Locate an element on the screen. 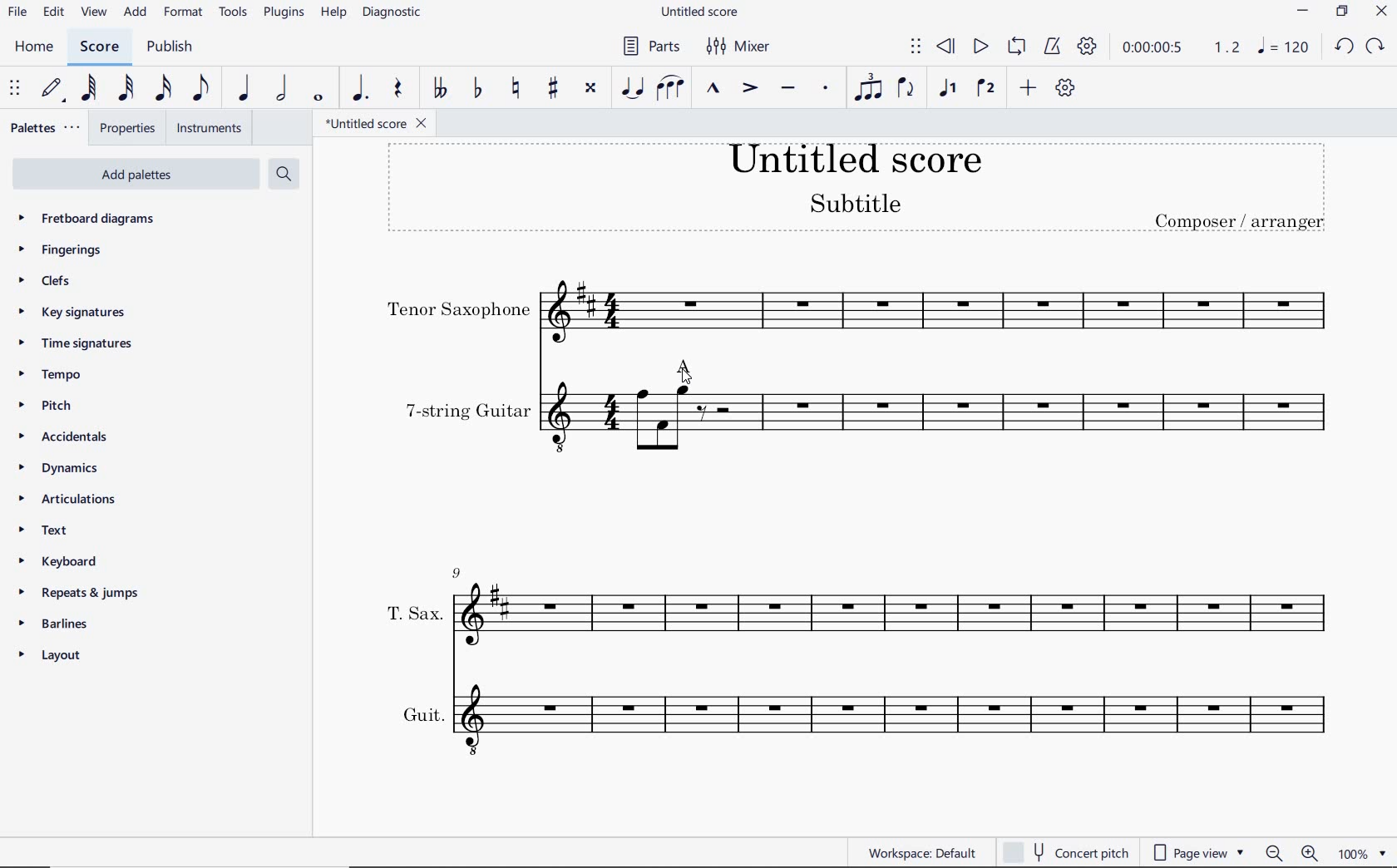 Image resolution: width=1397 pixels, height=868 pixels. CUSTOMIZE TOOLBAR is located at coordinates (1063, 89).